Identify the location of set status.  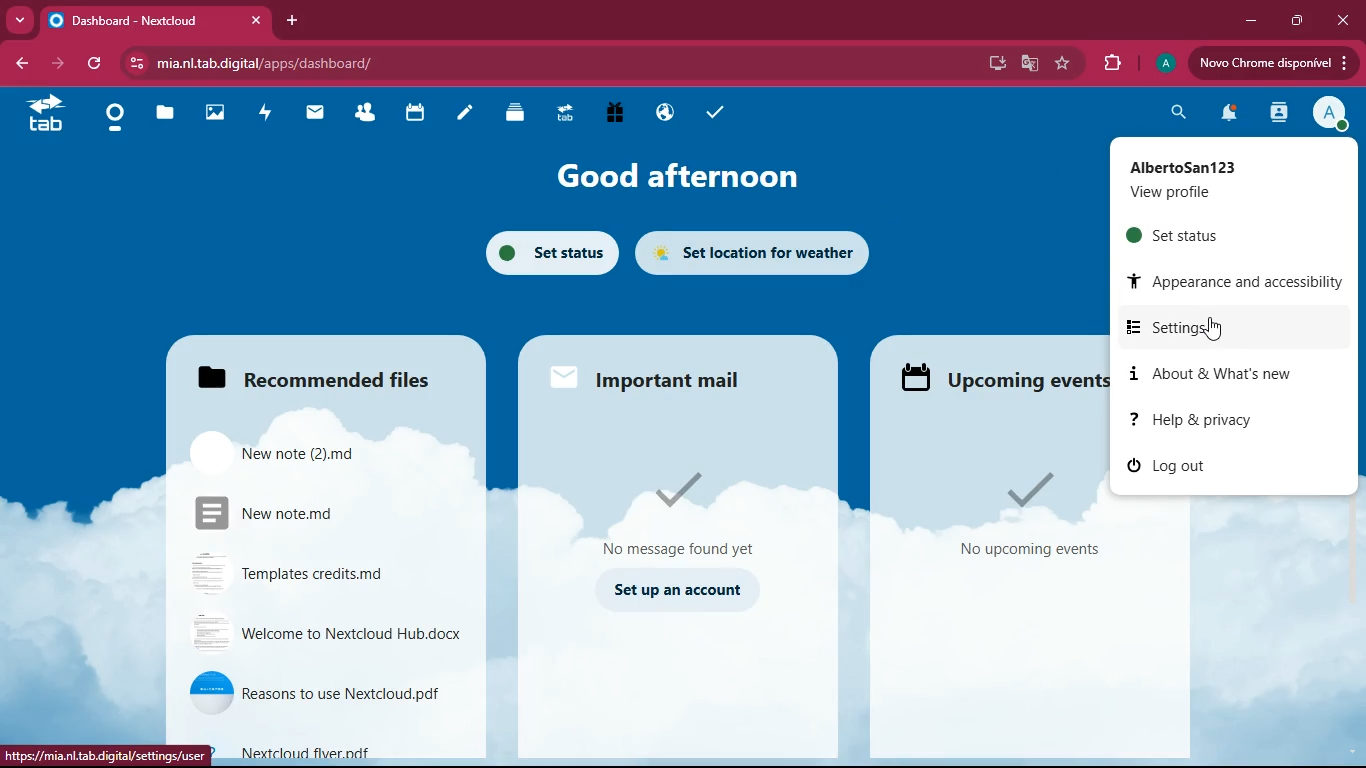
(539, 255).